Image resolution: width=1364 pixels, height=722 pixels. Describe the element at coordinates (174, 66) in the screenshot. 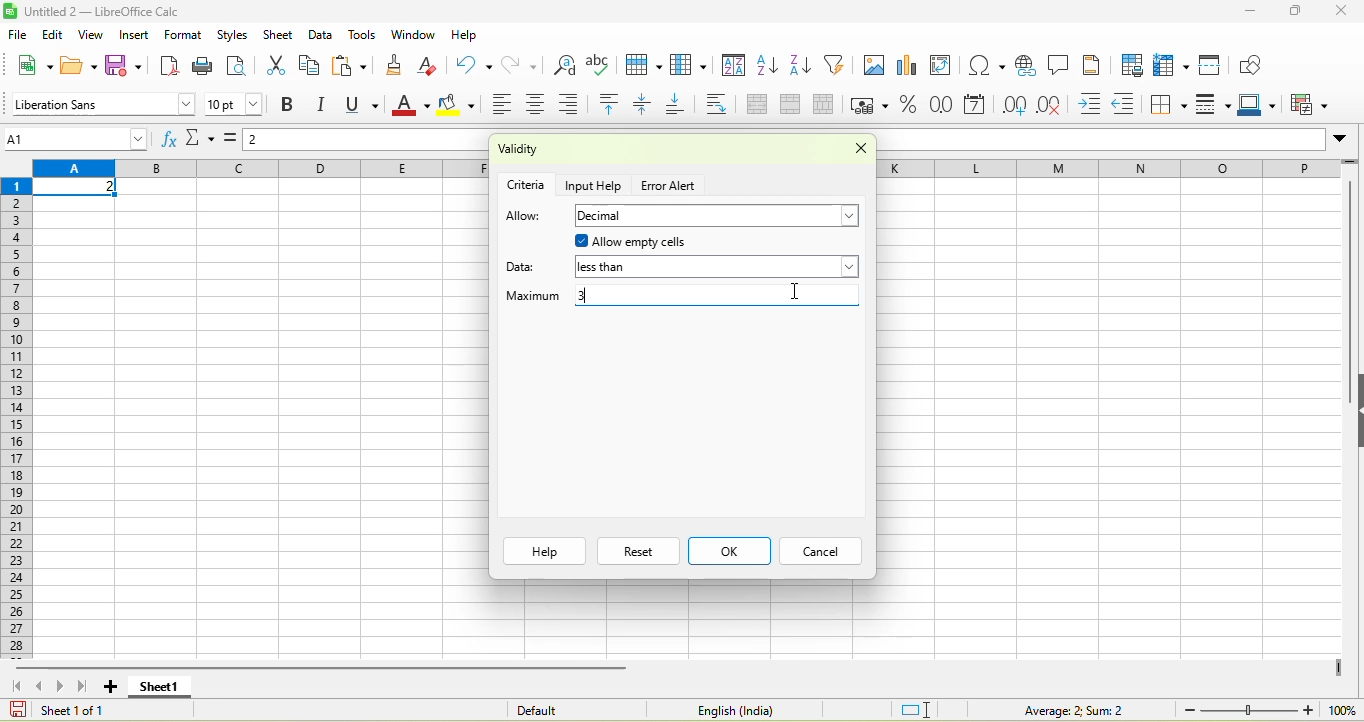

I see `export directly as pdf` at that location.